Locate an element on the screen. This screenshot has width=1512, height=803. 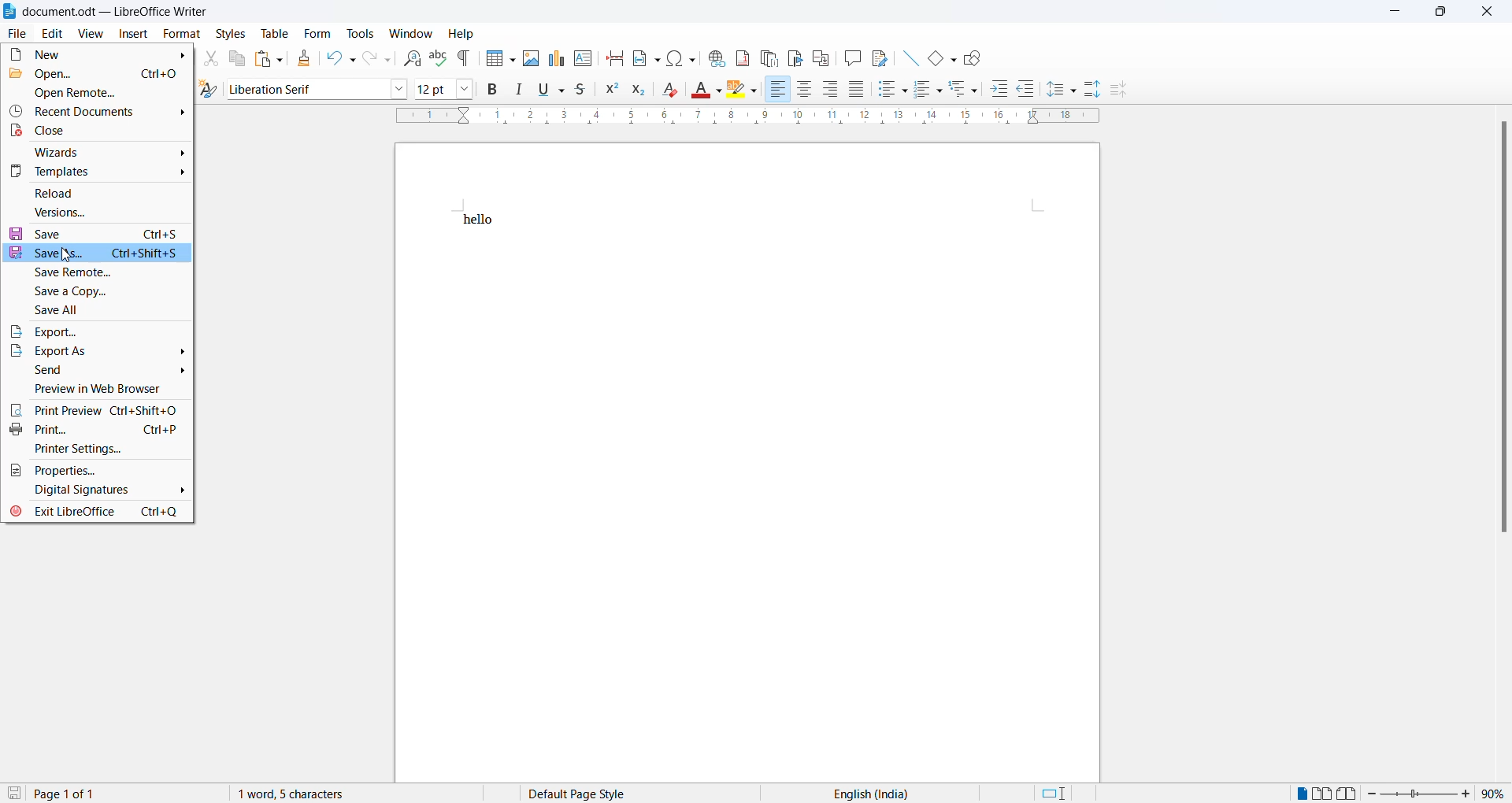
Zoom slider is located at coordinates (1419, 794).